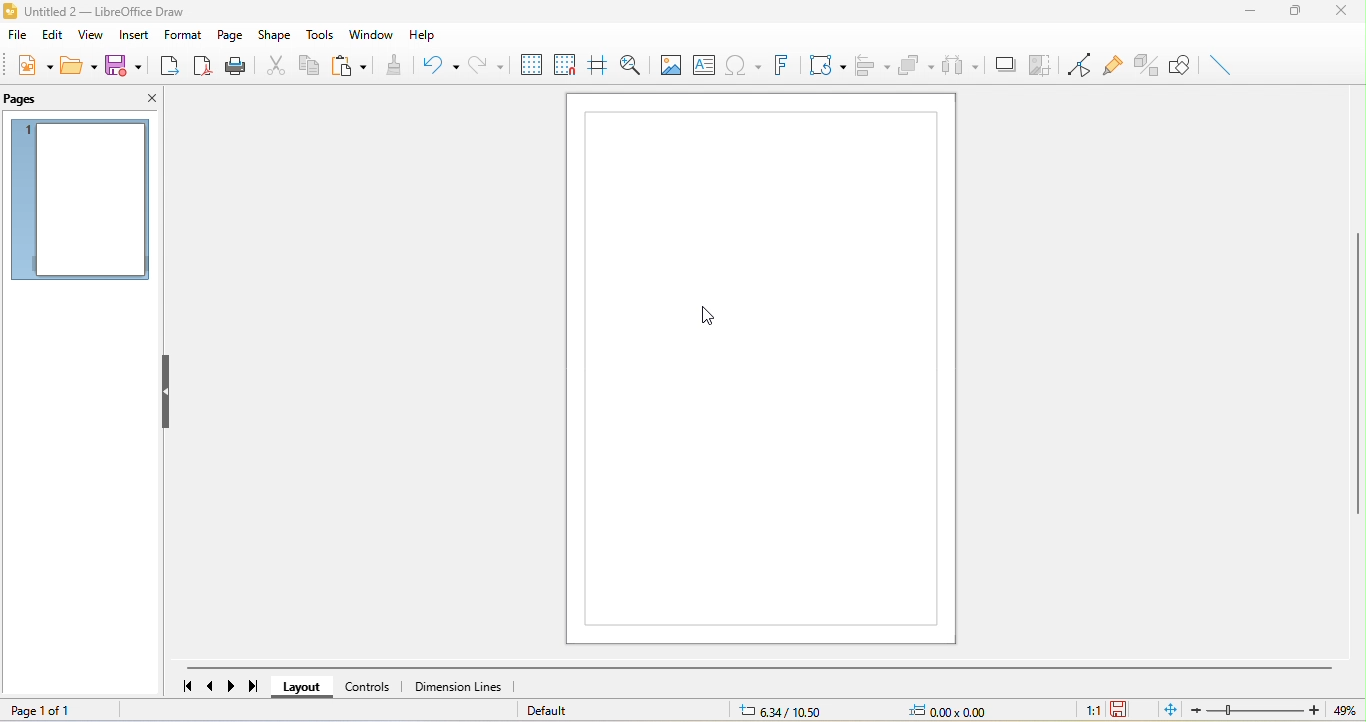 Image resolution: width=1366 pixels, height=722 pixels. What do you see at coordinates (274, 35) in the screenshot?
I see `shape` at bounding box center [274, 35].